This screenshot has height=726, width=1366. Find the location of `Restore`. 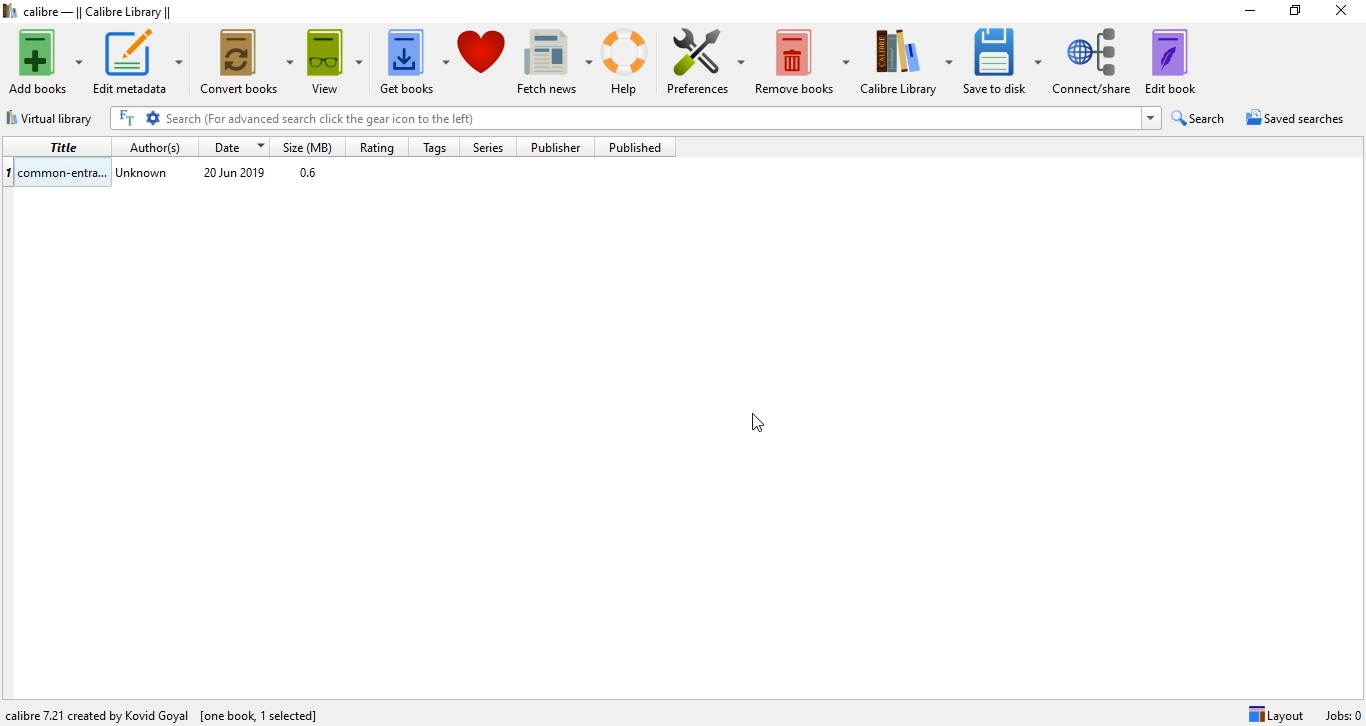

Restore is located at coordinates (1295, 14).